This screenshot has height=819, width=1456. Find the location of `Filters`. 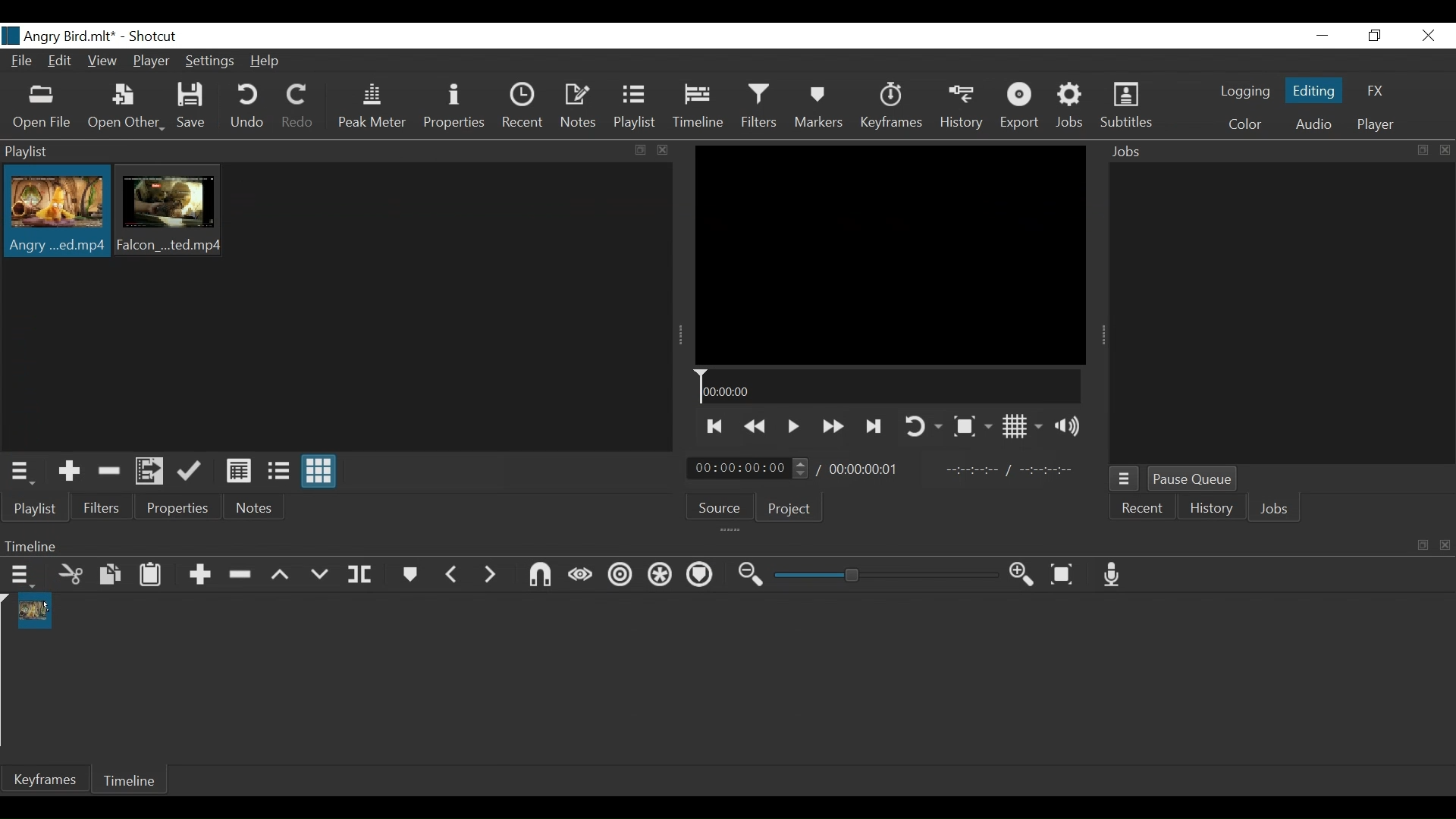

Filters is located at coordinates (101, 510).